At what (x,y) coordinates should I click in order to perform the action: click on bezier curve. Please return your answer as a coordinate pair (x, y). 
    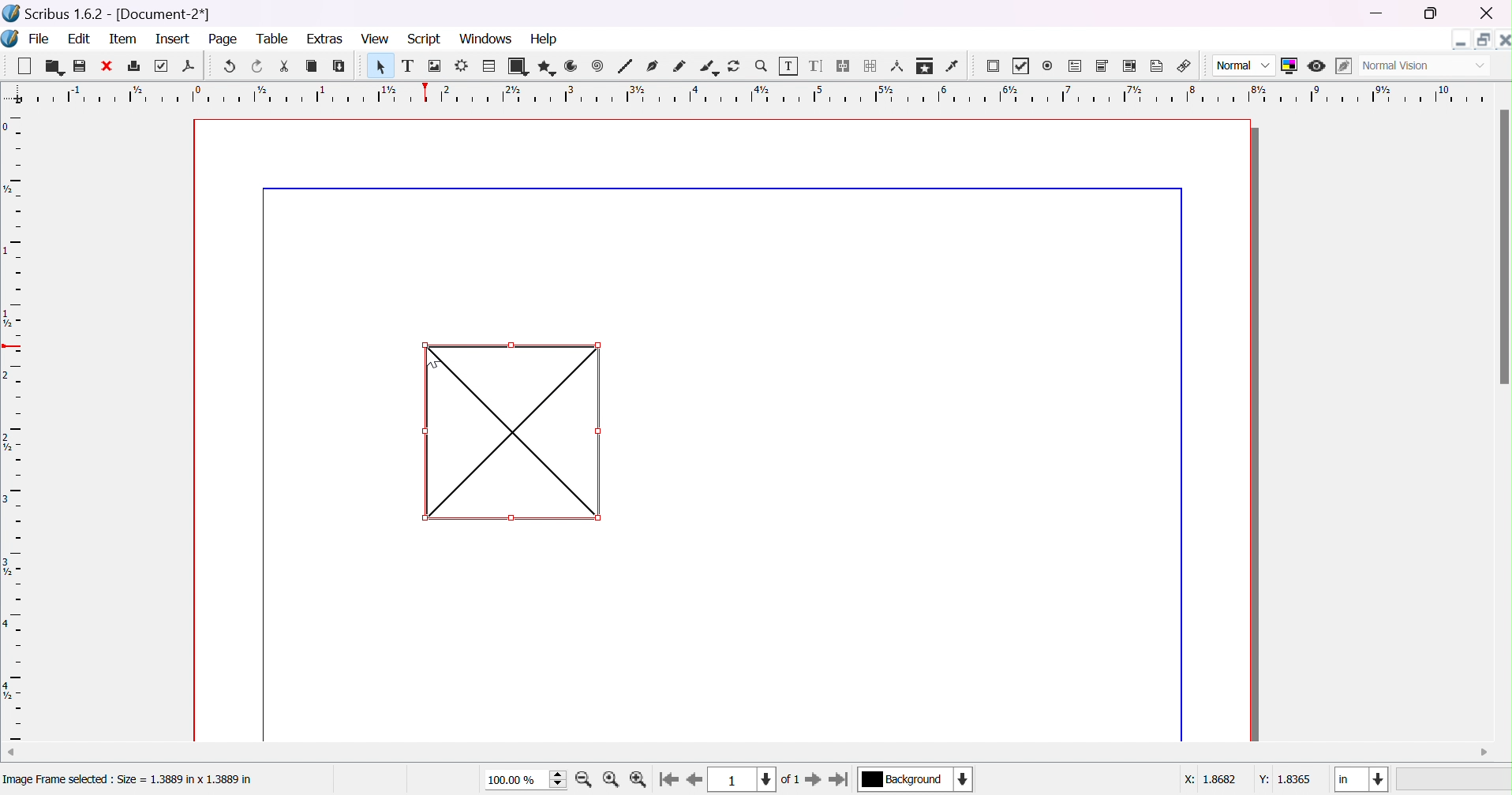
    Looking at the image, I should click on (653, 65).